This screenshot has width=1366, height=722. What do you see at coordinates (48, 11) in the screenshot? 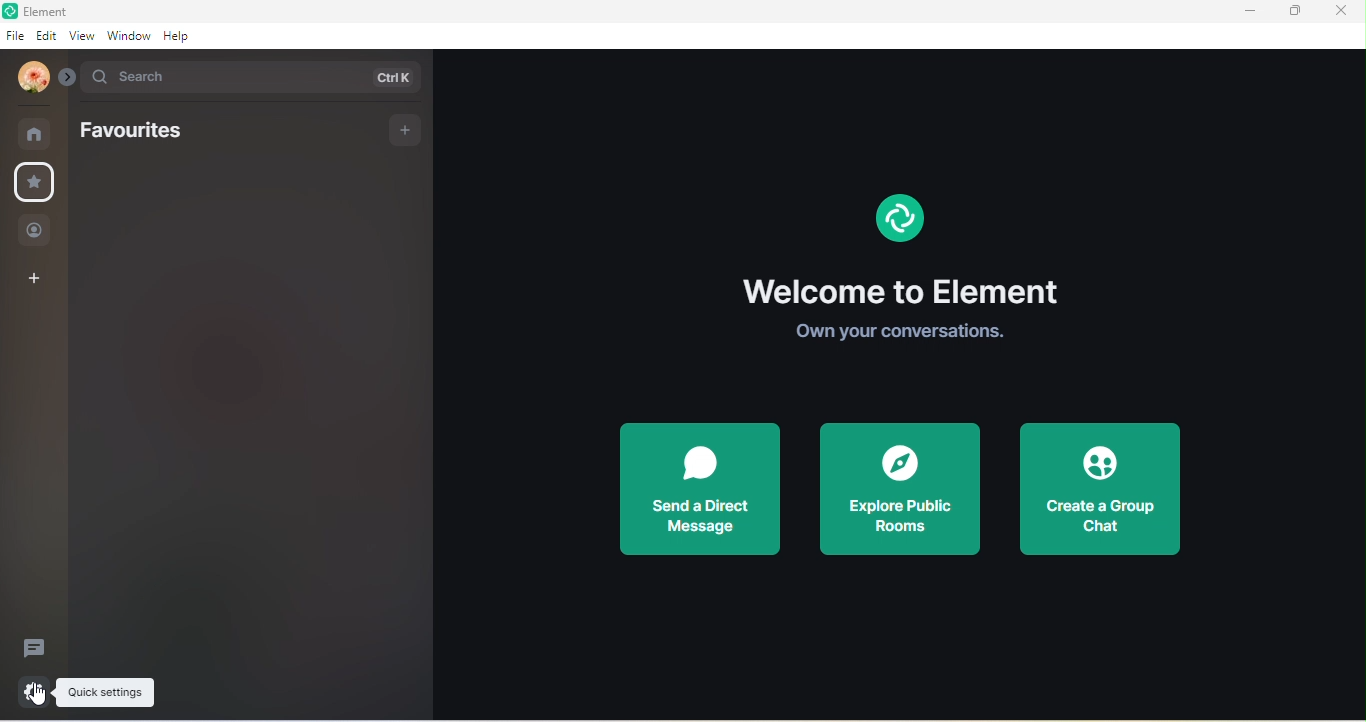
I see `title` at bounding box center [48, 11].